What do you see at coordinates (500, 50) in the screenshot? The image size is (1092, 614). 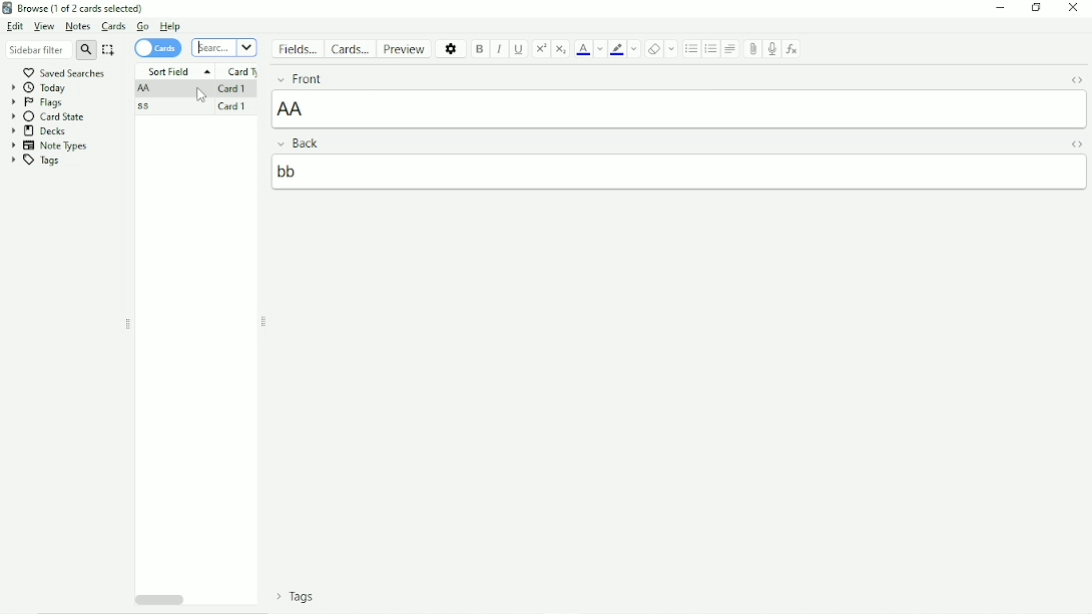 I see `Italic` at bounding box center [500, 50].